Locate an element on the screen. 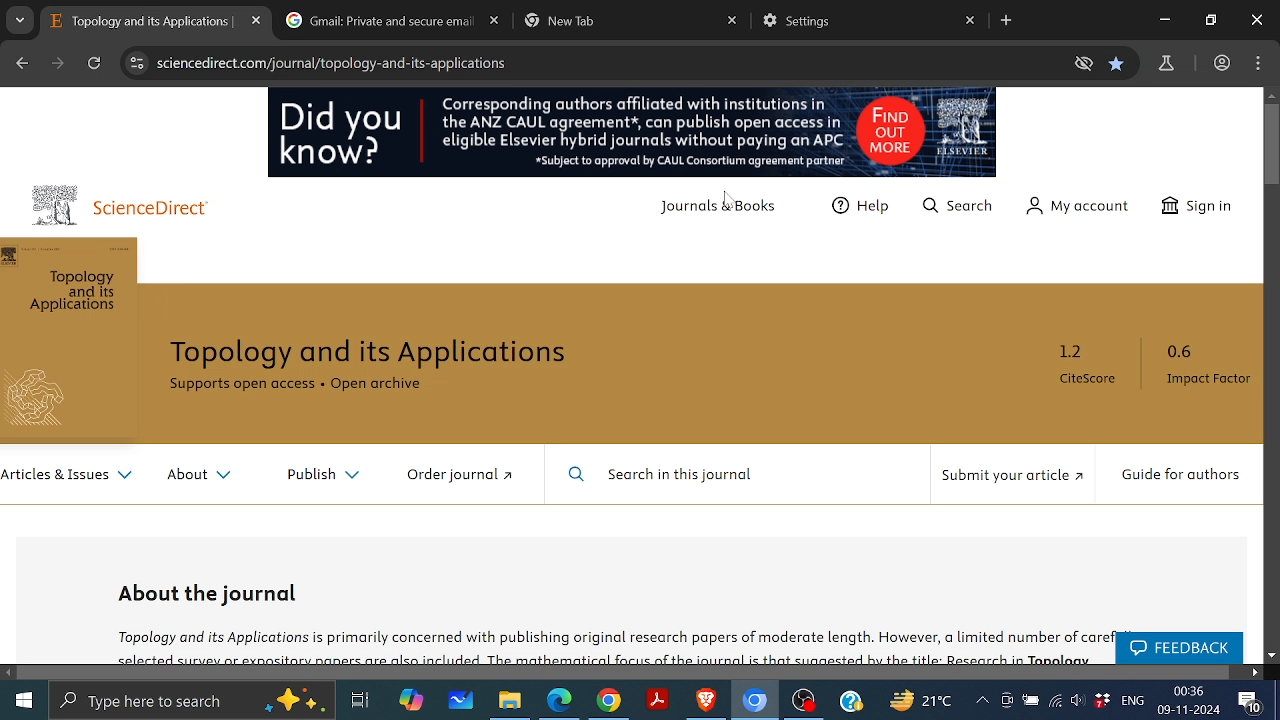  Search in this journal is located at coordinates (664, 474).